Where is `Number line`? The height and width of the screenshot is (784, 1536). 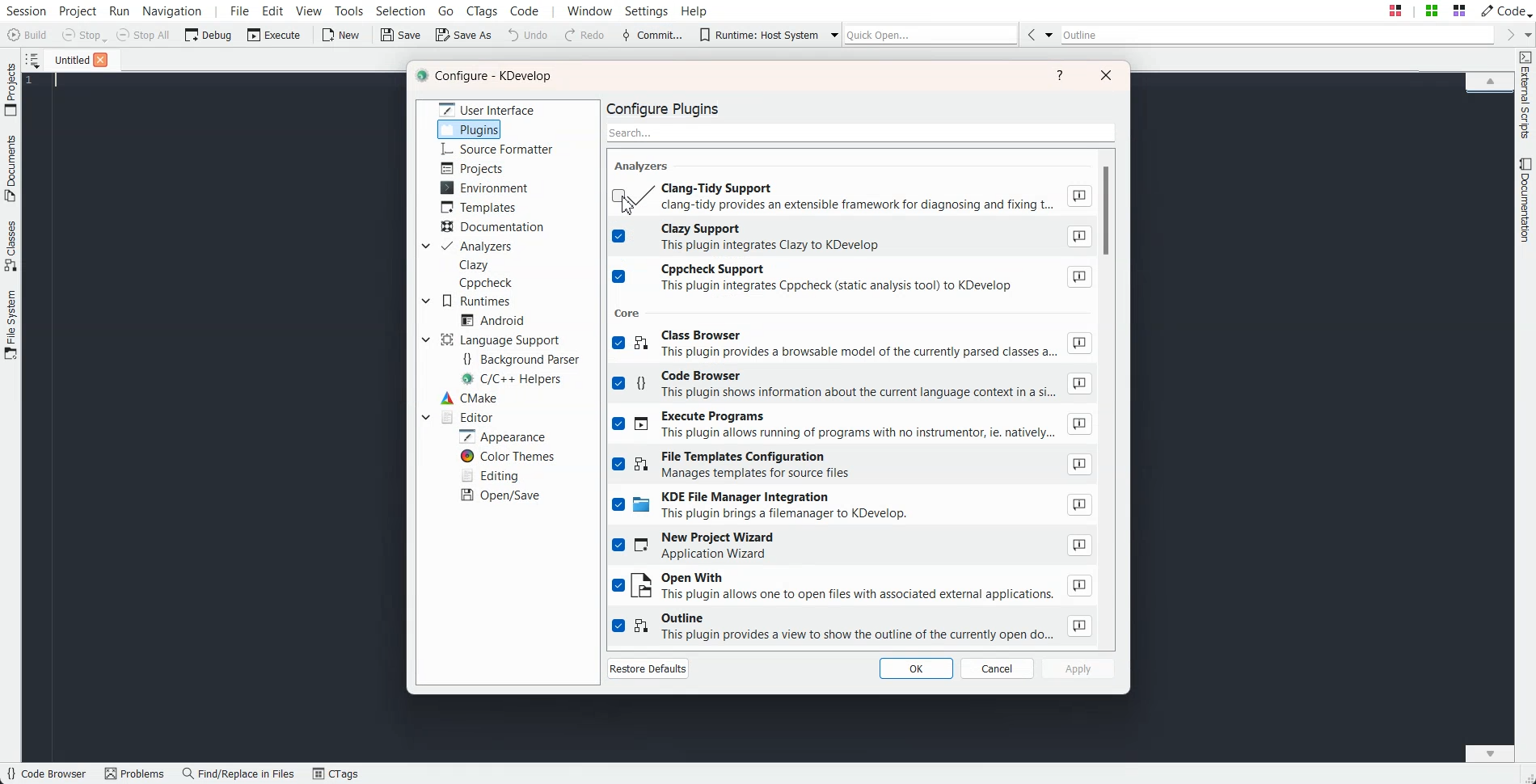 Number line is located at coordinates (34, 81).